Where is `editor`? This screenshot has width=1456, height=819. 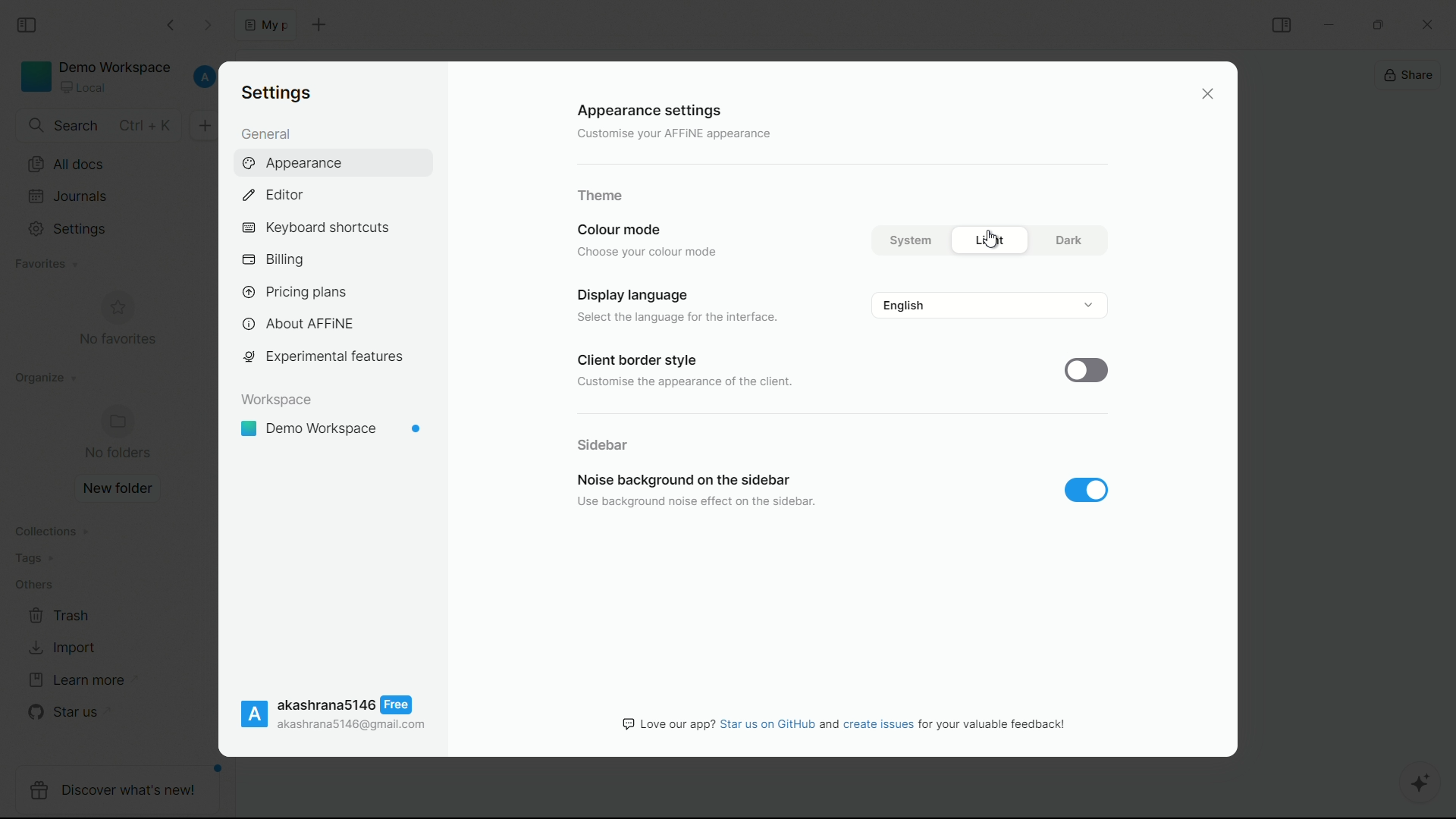 editor is located at coordinates (271, 195).